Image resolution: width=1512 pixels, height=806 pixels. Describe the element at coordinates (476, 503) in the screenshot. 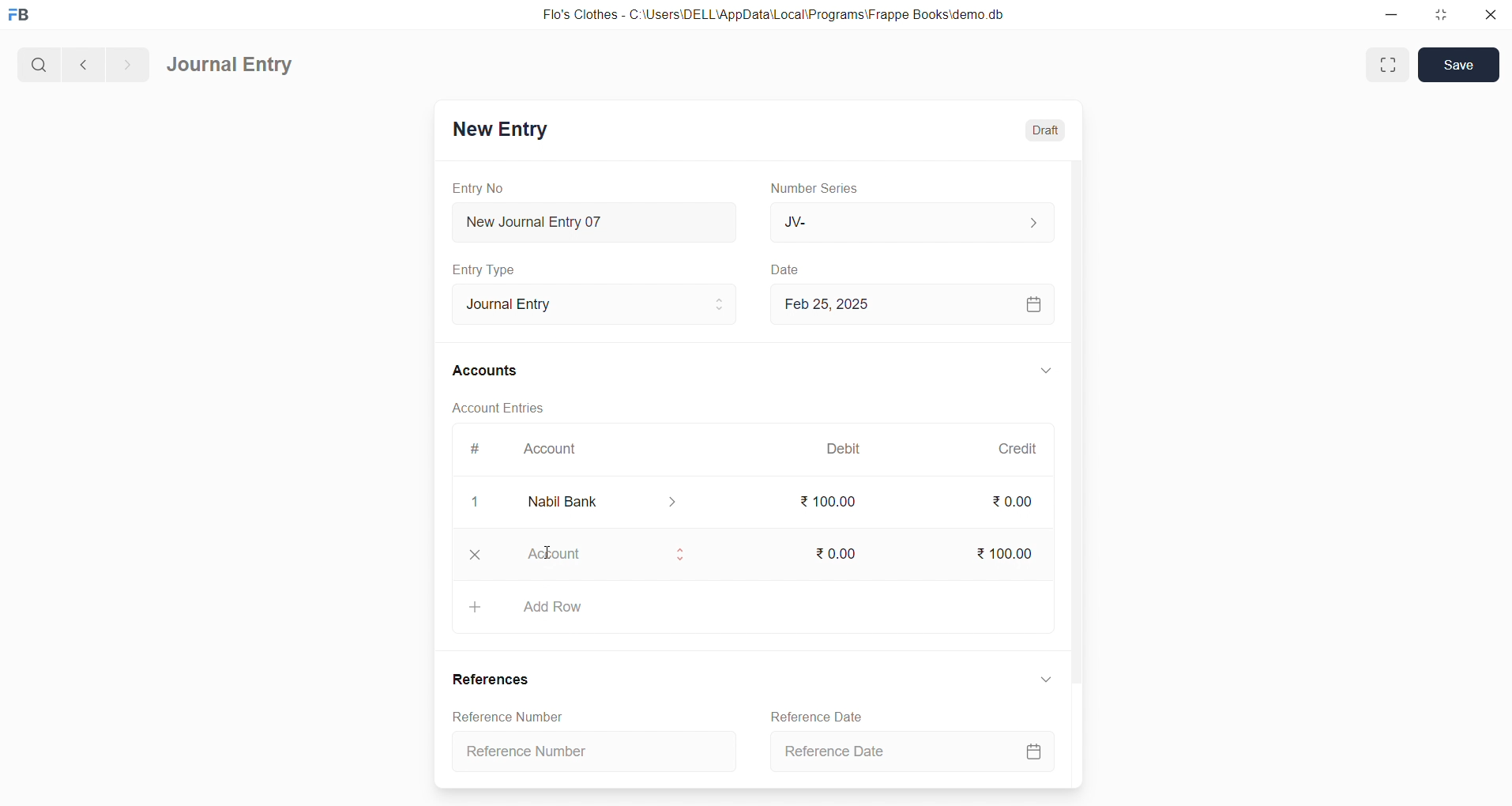

I see `1` at that location.